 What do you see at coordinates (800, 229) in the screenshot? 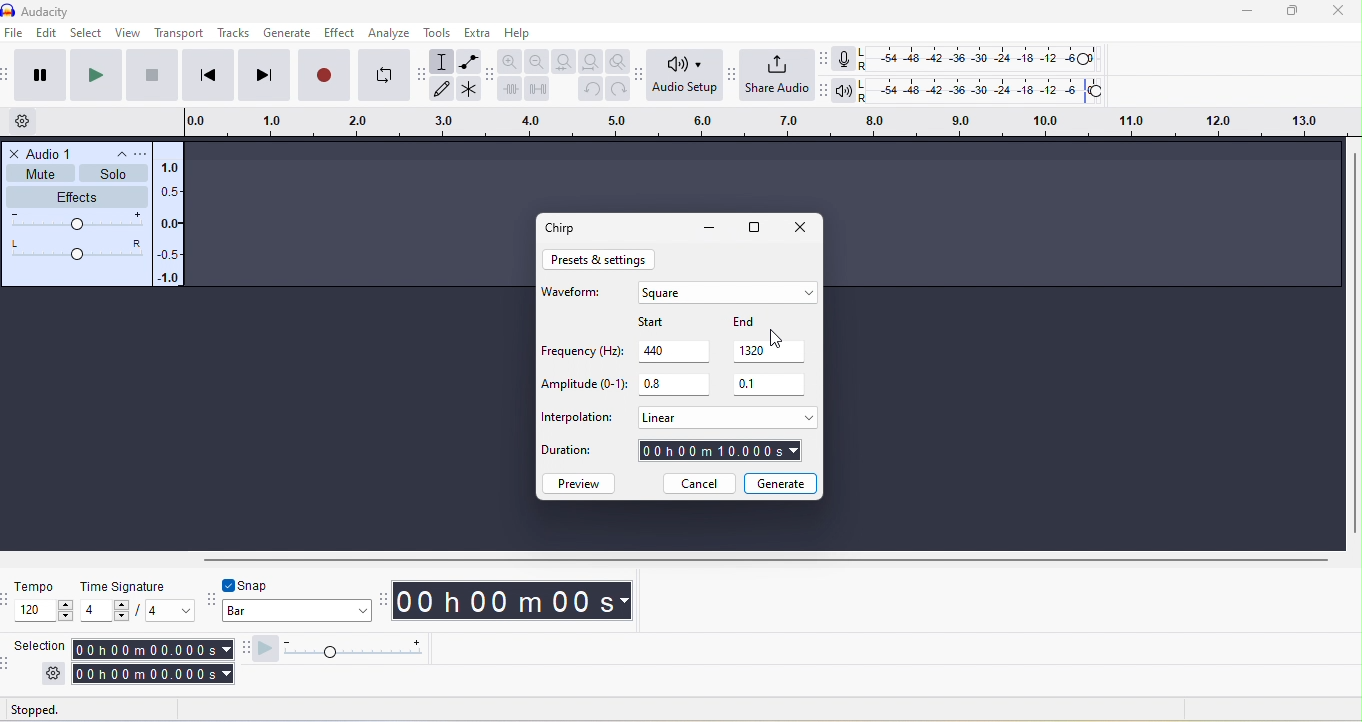
I see `close` at bounding box center [800, 229].